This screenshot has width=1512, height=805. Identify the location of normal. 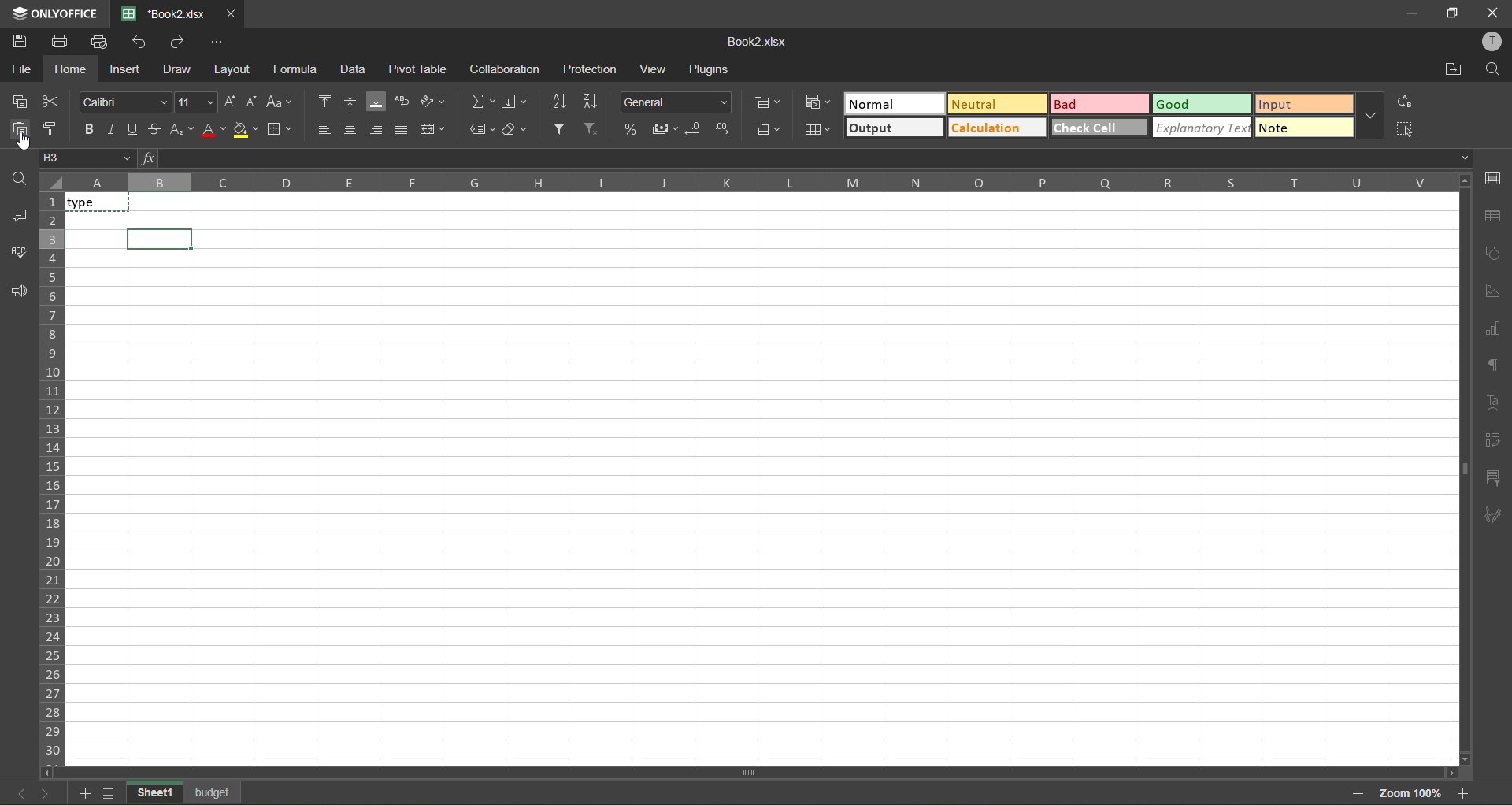
(892, 103).